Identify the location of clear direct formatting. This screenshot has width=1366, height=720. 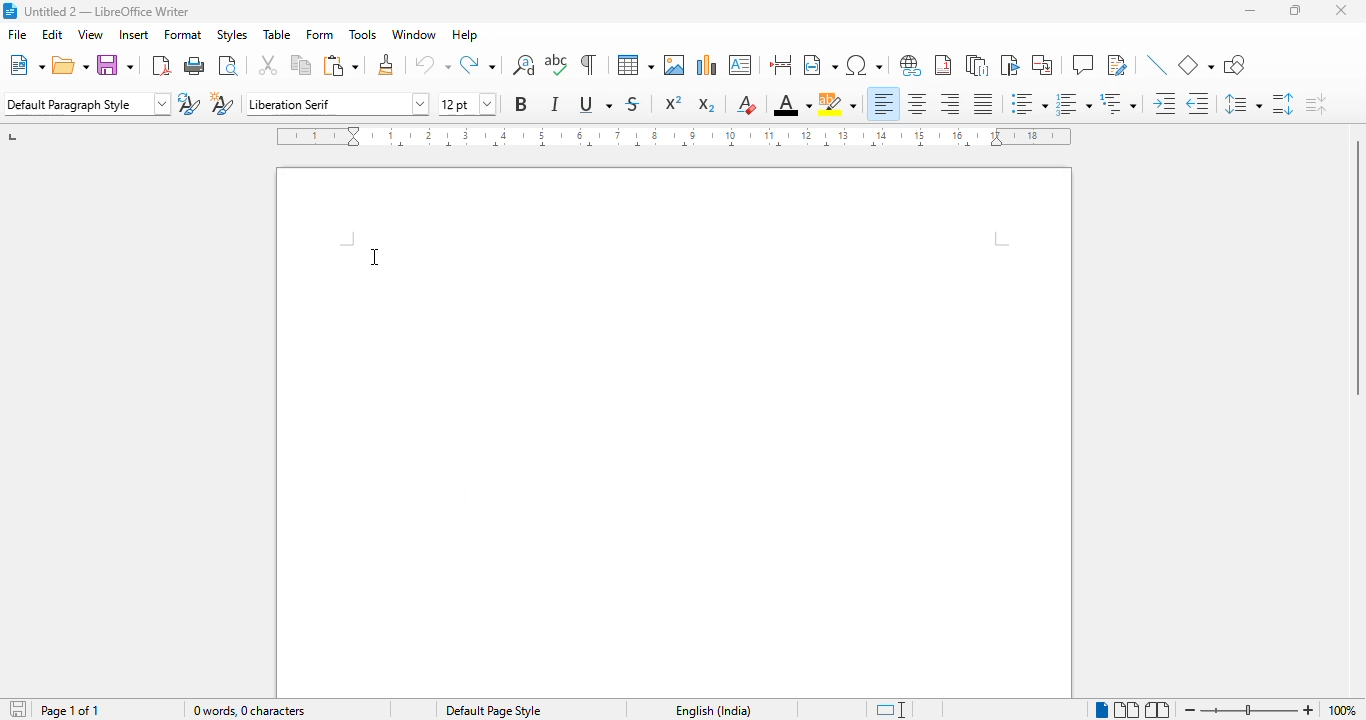
(746, 104).